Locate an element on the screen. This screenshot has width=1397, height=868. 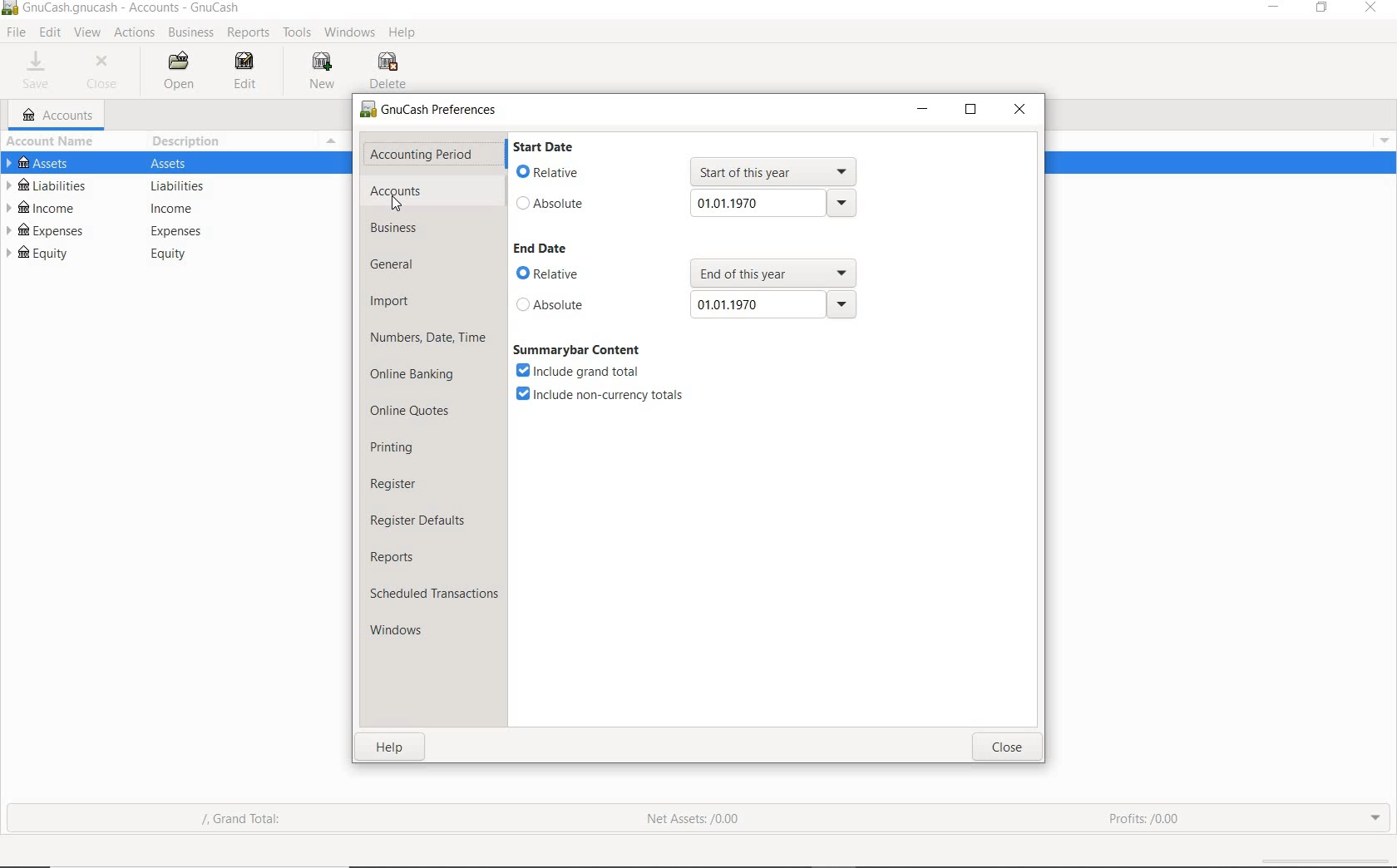
online banking is located at coordinates (416, 377).